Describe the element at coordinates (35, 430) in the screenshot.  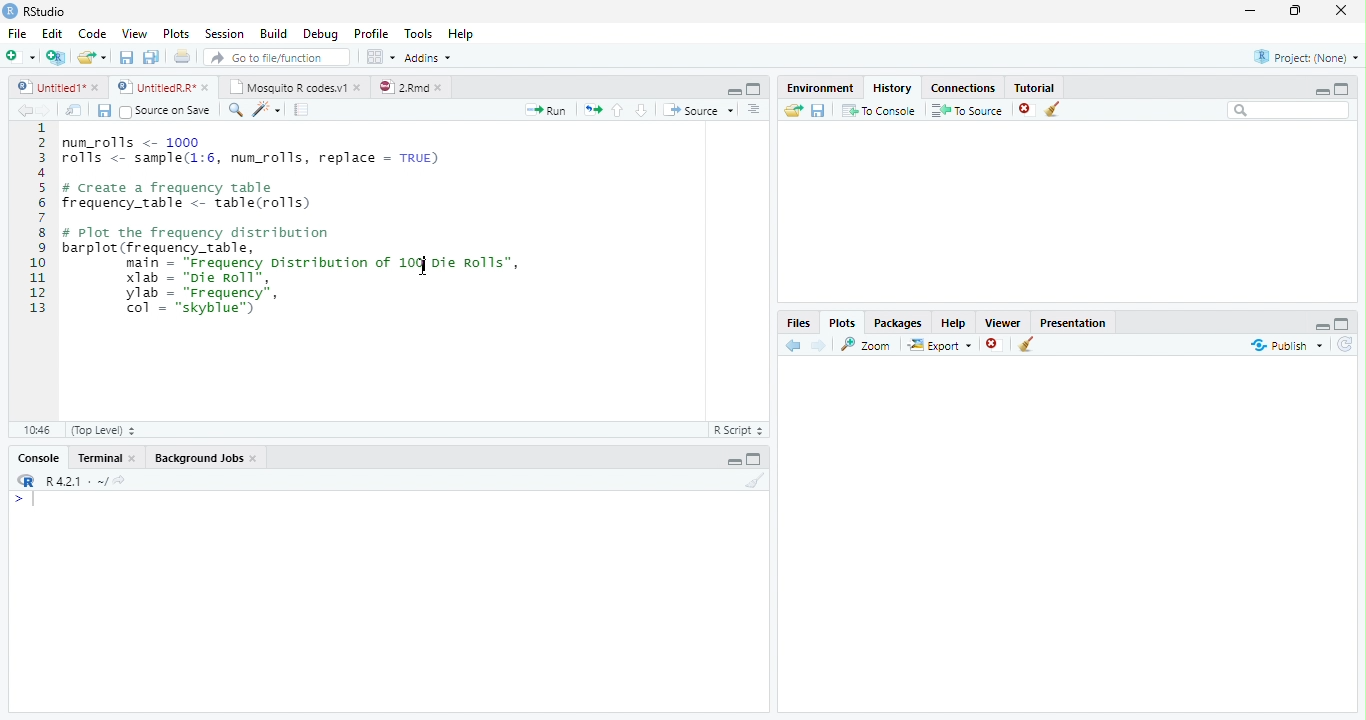
I see `1:1` at that location.